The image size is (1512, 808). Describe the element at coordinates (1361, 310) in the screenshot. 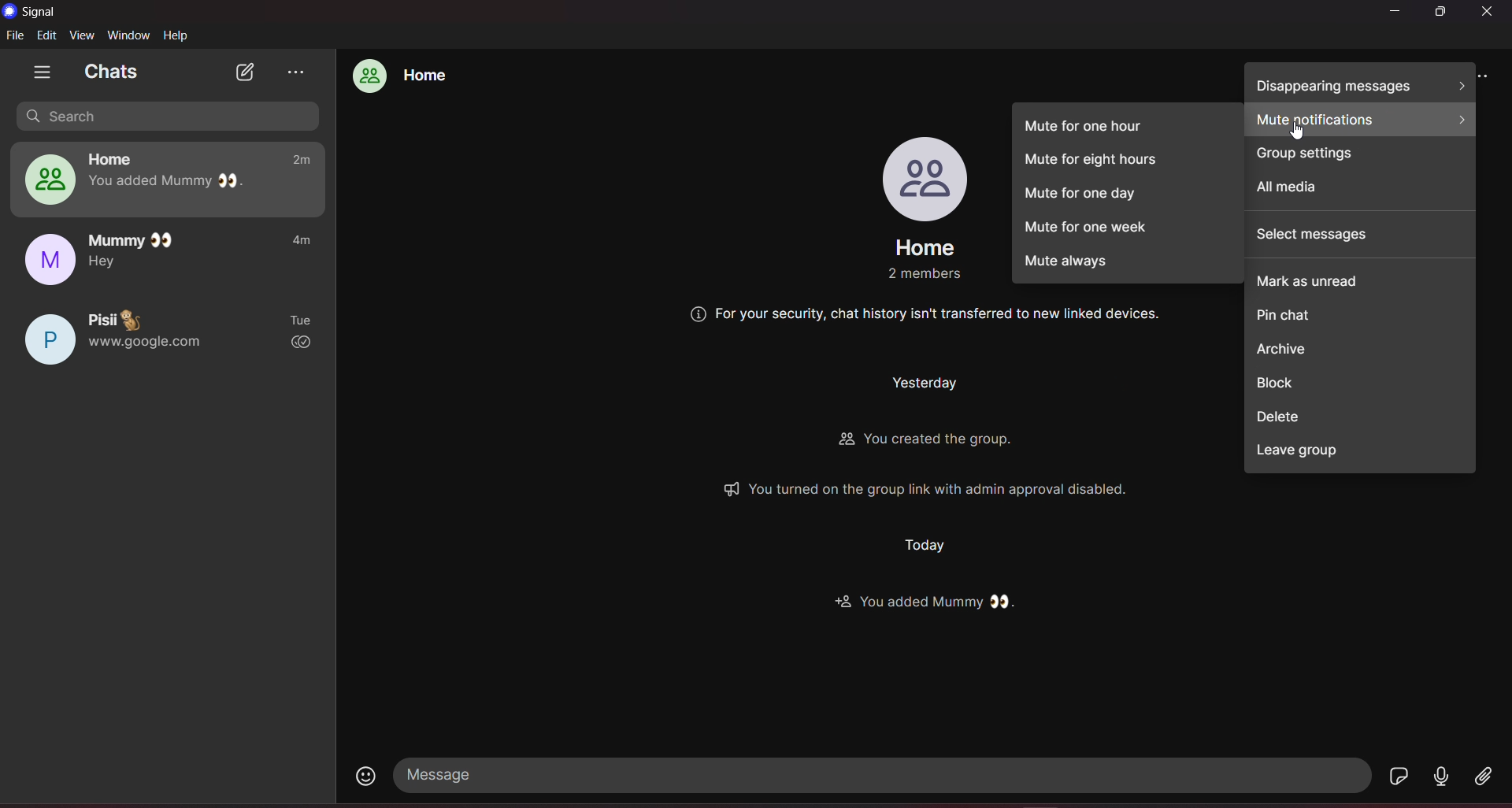

I see `pin chat` at that location.